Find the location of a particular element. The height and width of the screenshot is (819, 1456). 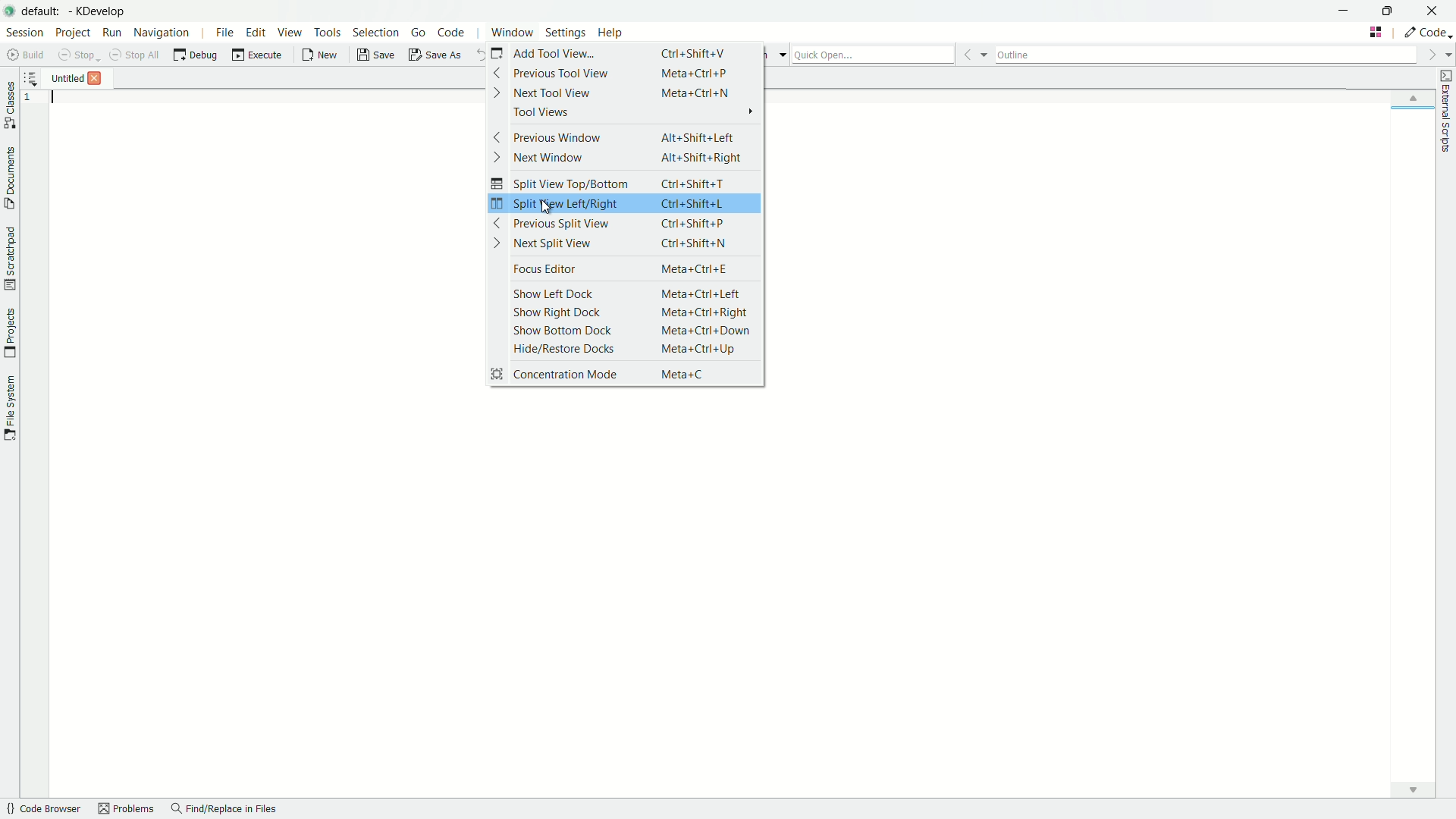

find/replace in files is located at coordinates (221, 810).